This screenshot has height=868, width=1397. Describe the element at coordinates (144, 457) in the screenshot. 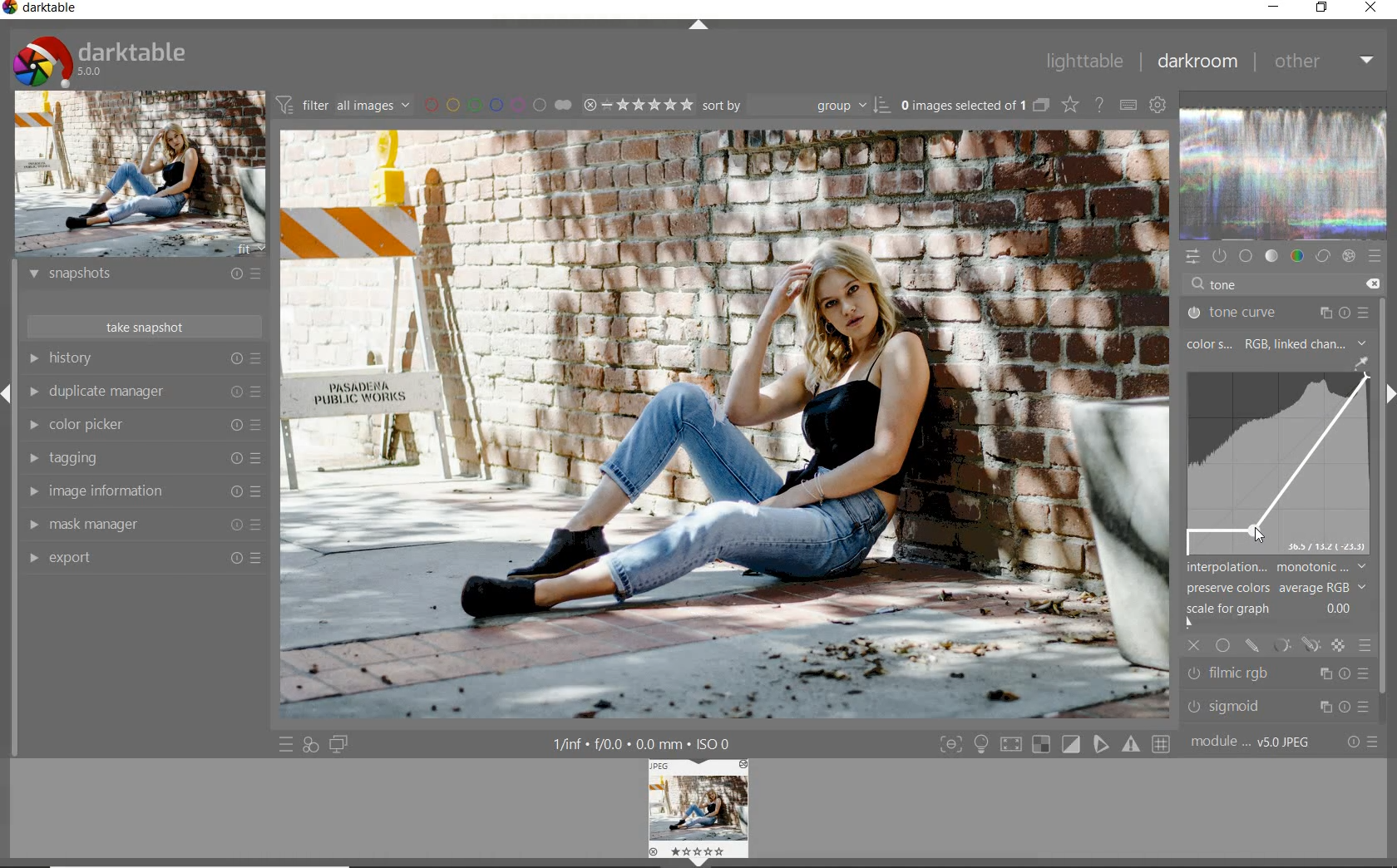

I see `tagging` at that location.